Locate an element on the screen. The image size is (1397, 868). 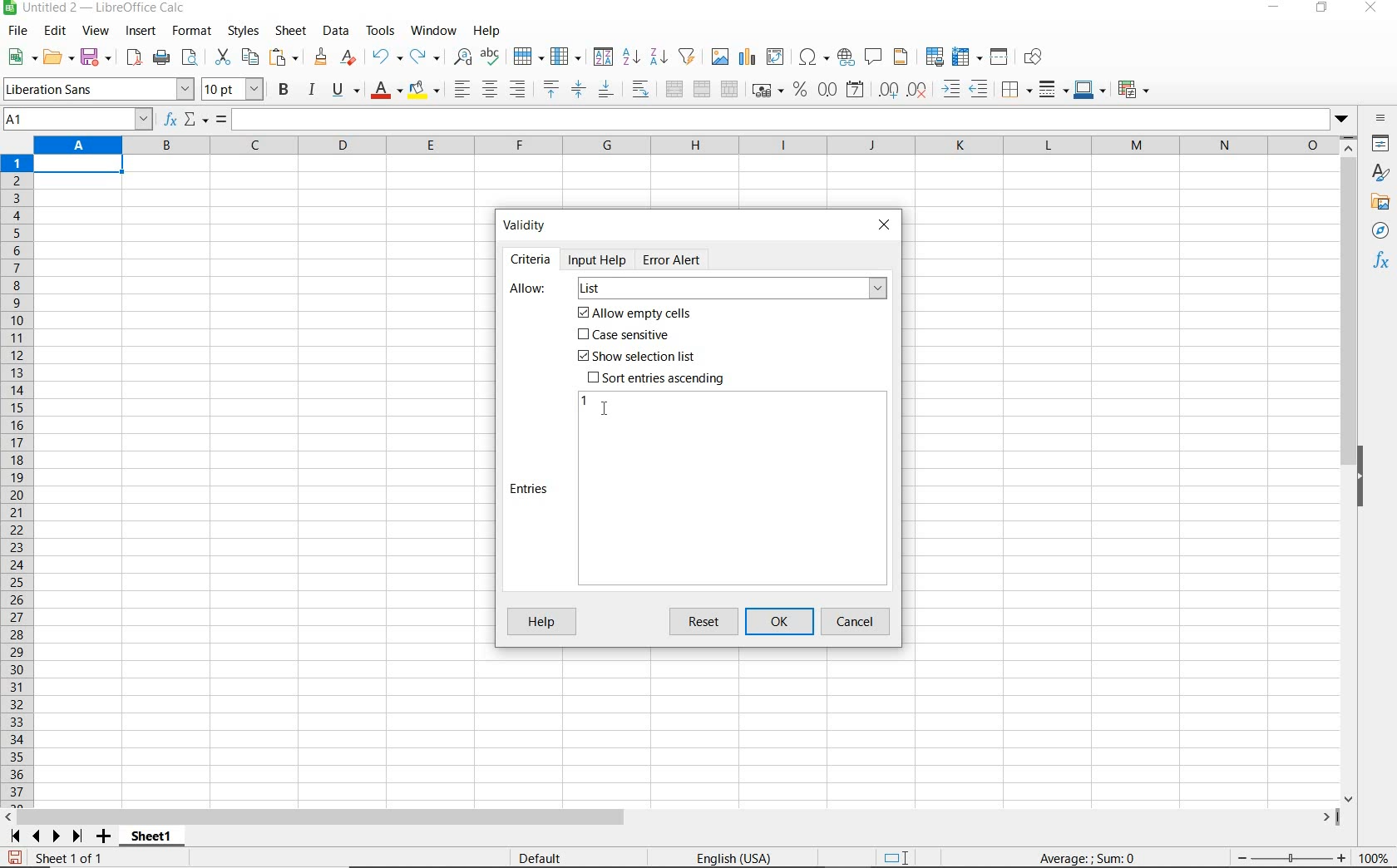
file name is located at coordinates (95, 9).